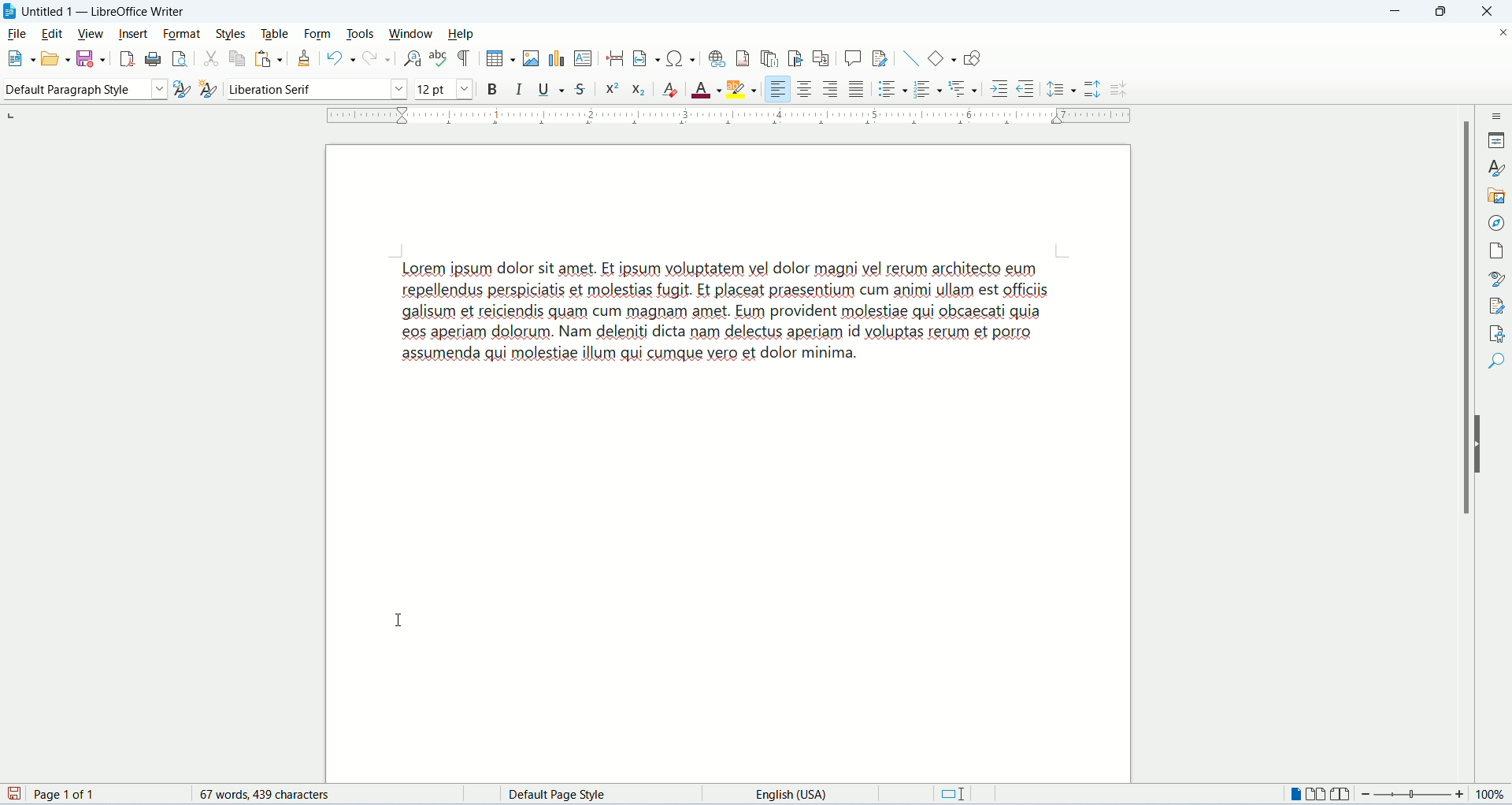 This screenshot has width=1512, height=805. Describe the element at coordinates (464, 58) in the screenshot. I see `mark formatting` at that location.